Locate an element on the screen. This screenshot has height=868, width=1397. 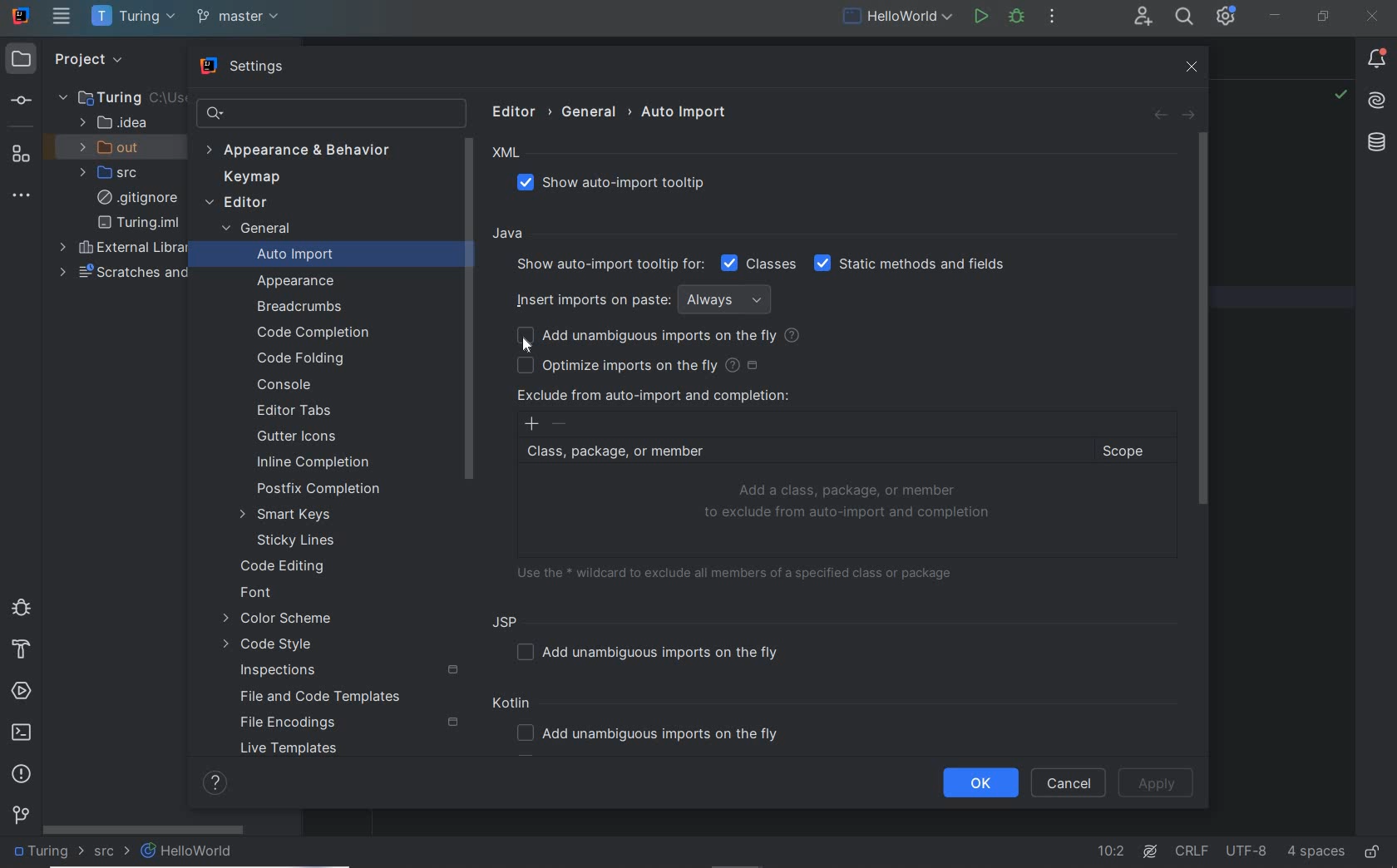
OPTIMIZE IMPORTS ON THE FLY is located at coordinates (639, 365).